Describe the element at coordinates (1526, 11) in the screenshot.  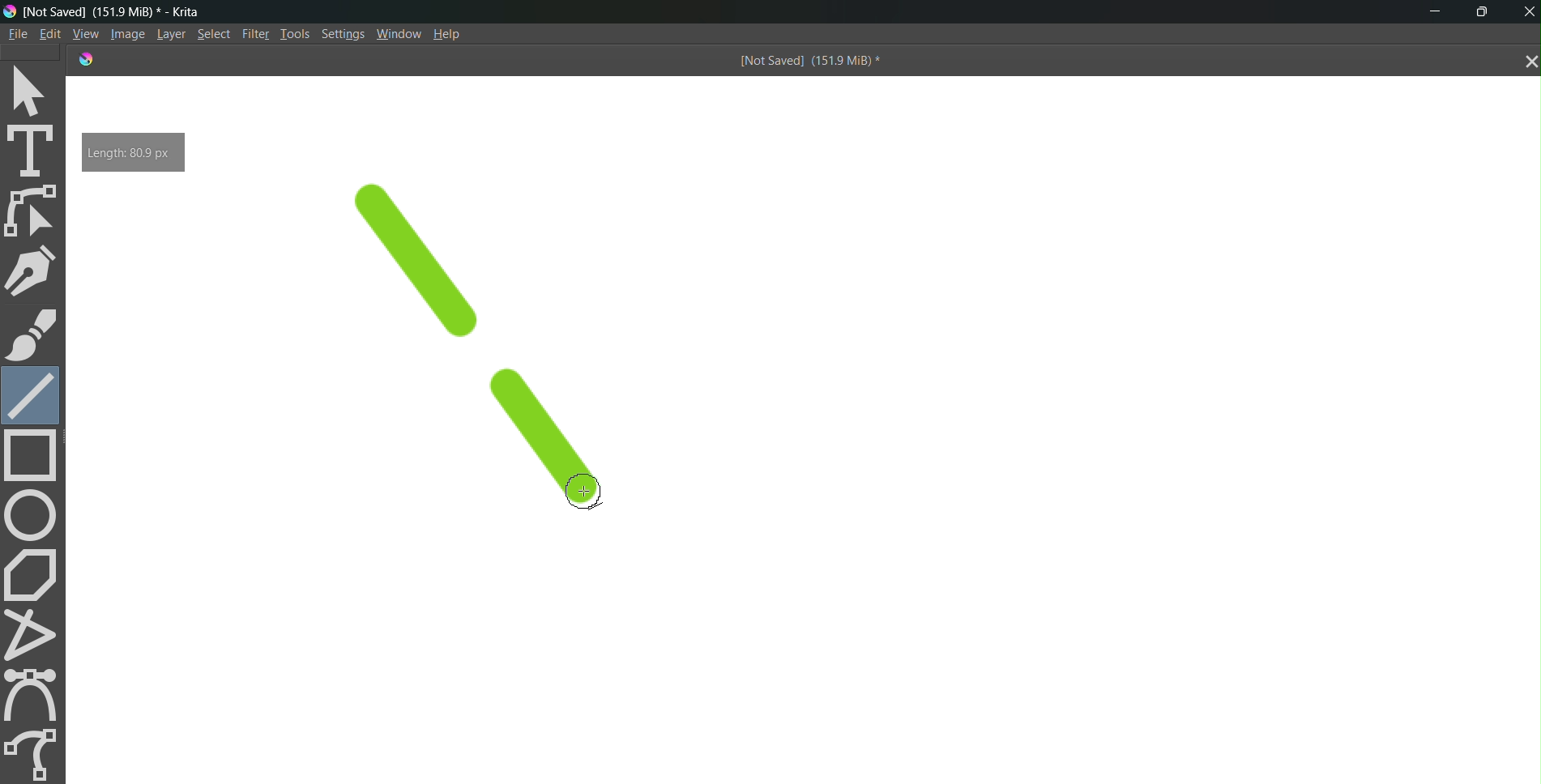
I see `Close` at that location.